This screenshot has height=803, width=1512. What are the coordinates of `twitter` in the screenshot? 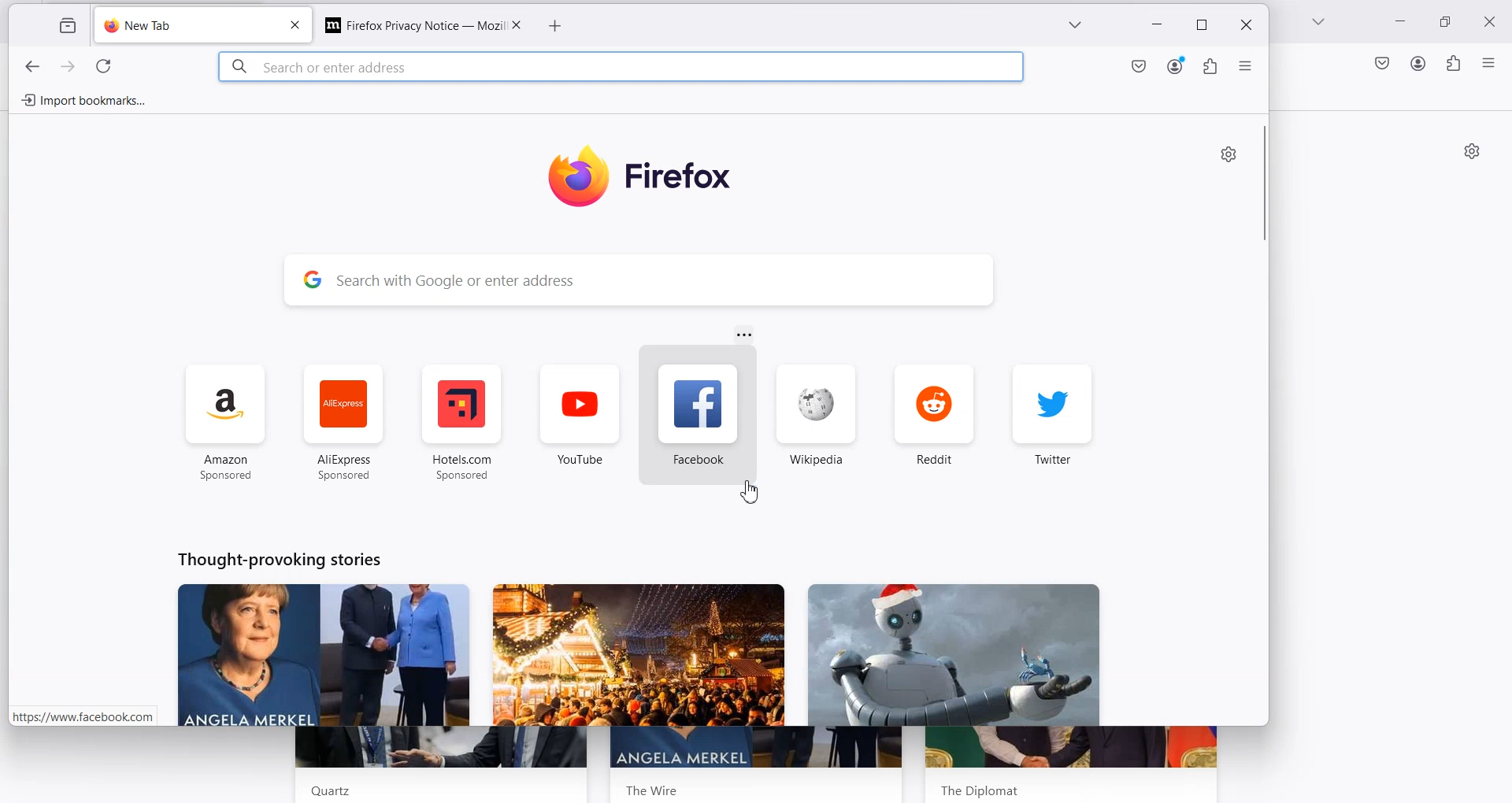 It's located at (1052, 416).